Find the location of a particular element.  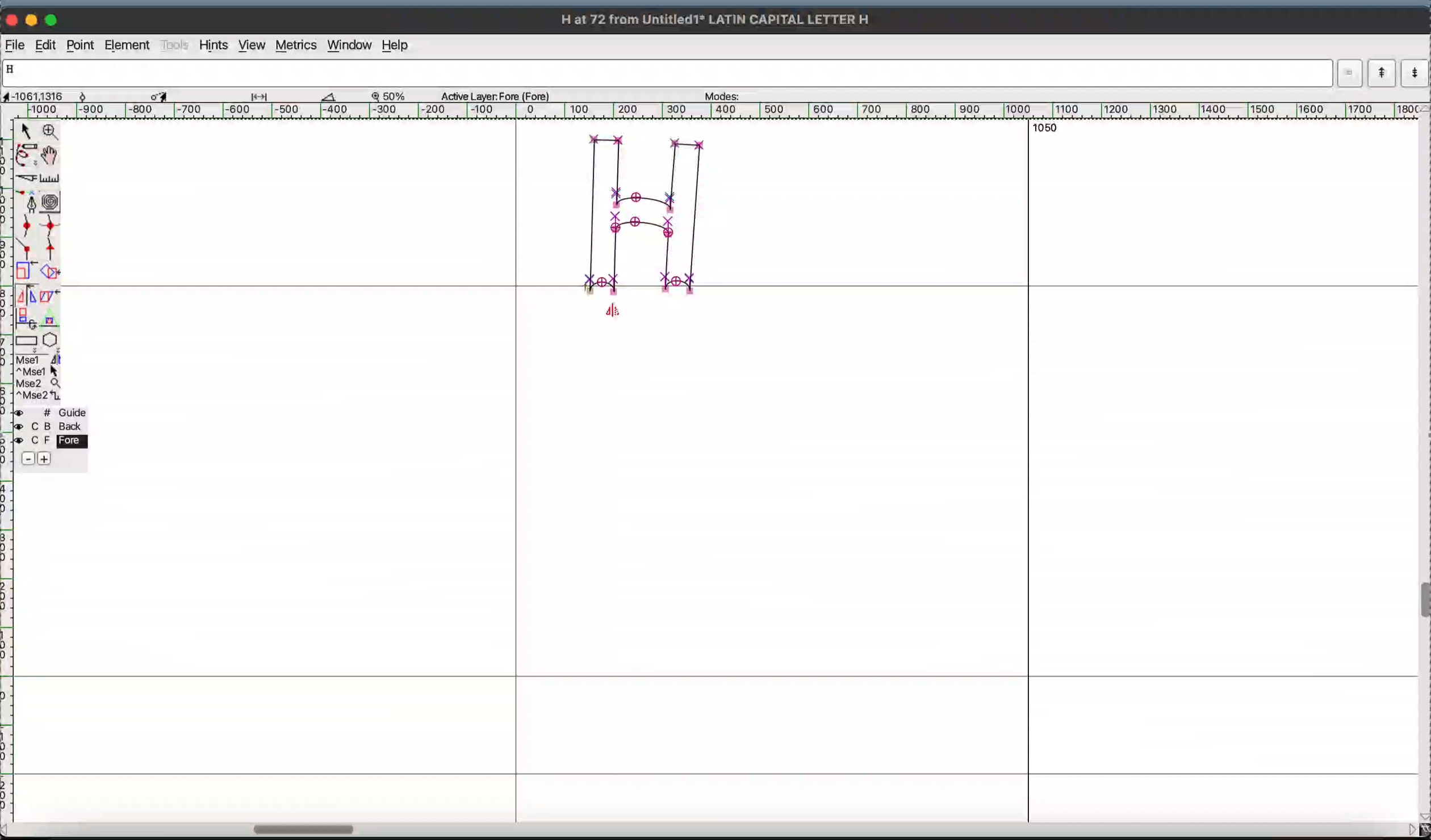

window is located at coordinates (348, 44).